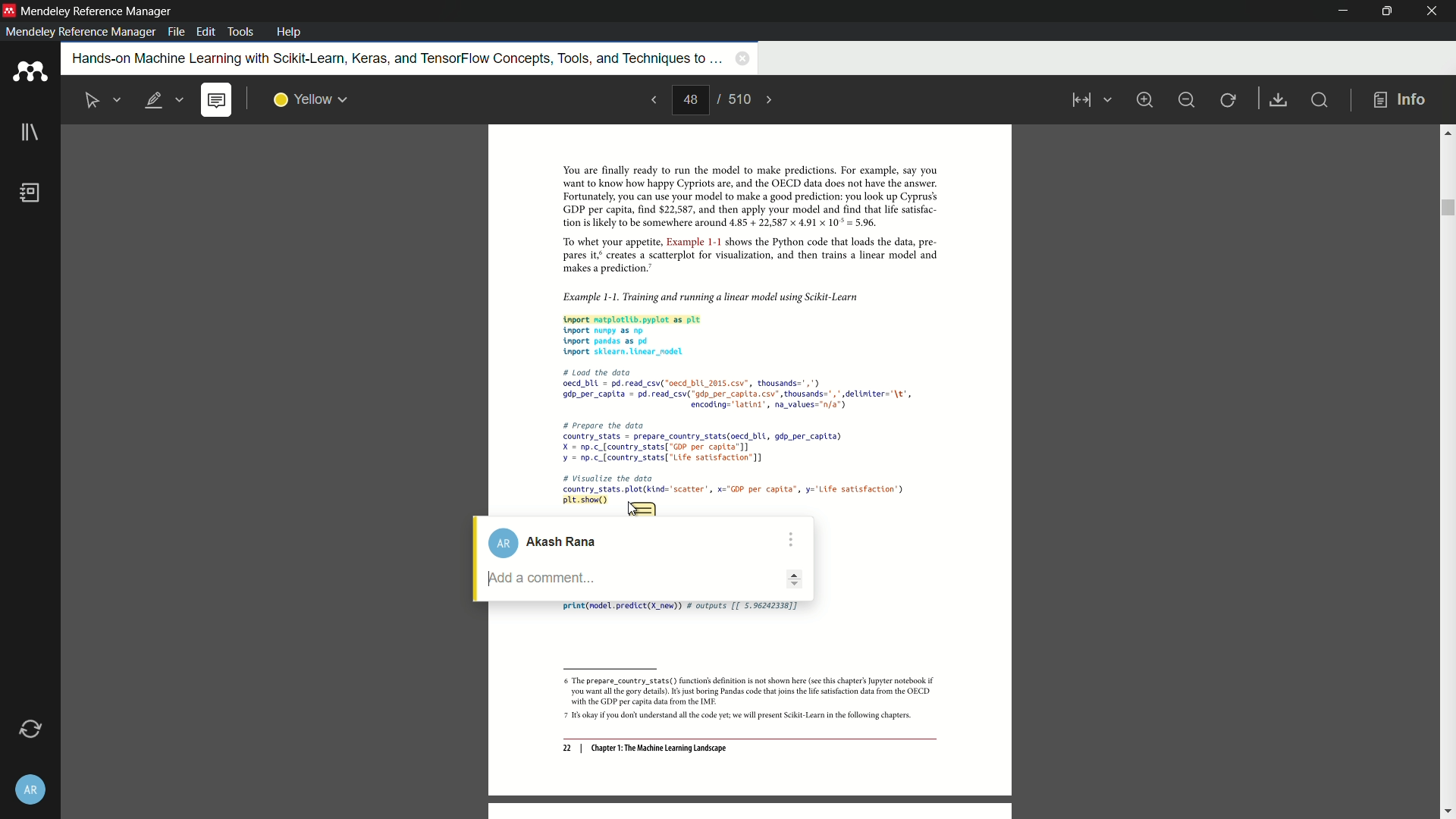 The height and width of the screenshot is (819, 1456). What do you see at coordinates (30, 730) in the screenshot?
I see `sync` at bounding box center [30, 730].